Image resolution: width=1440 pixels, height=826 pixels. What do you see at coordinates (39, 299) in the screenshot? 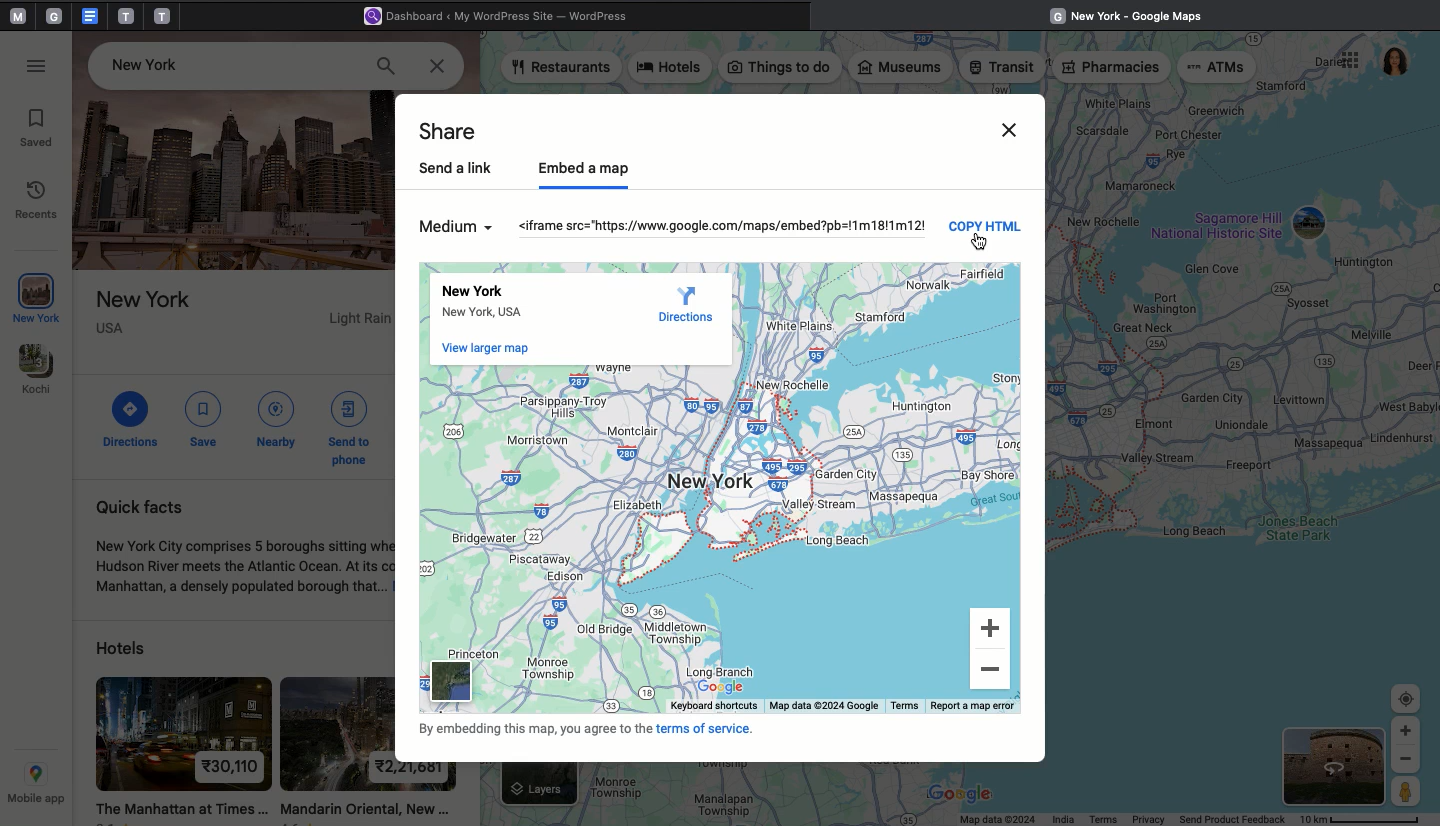
I see `New York` at bounding box center [39, 299].